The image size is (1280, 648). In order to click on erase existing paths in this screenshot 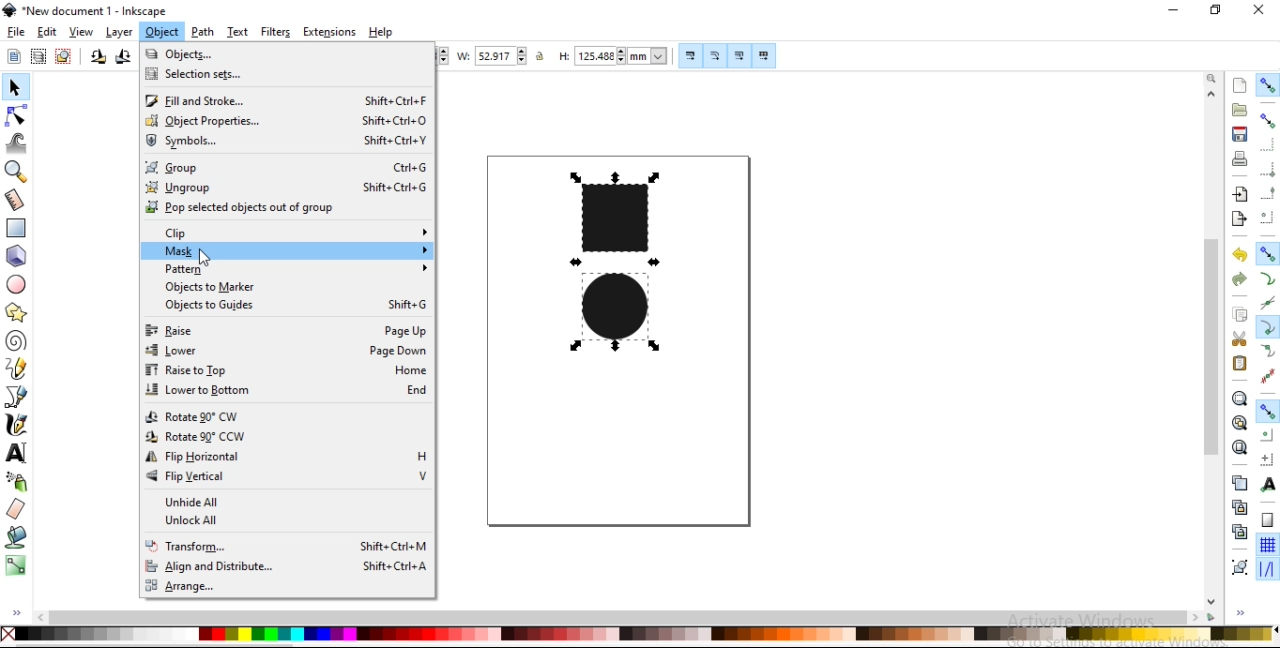, I will do `click(17, 510)`.